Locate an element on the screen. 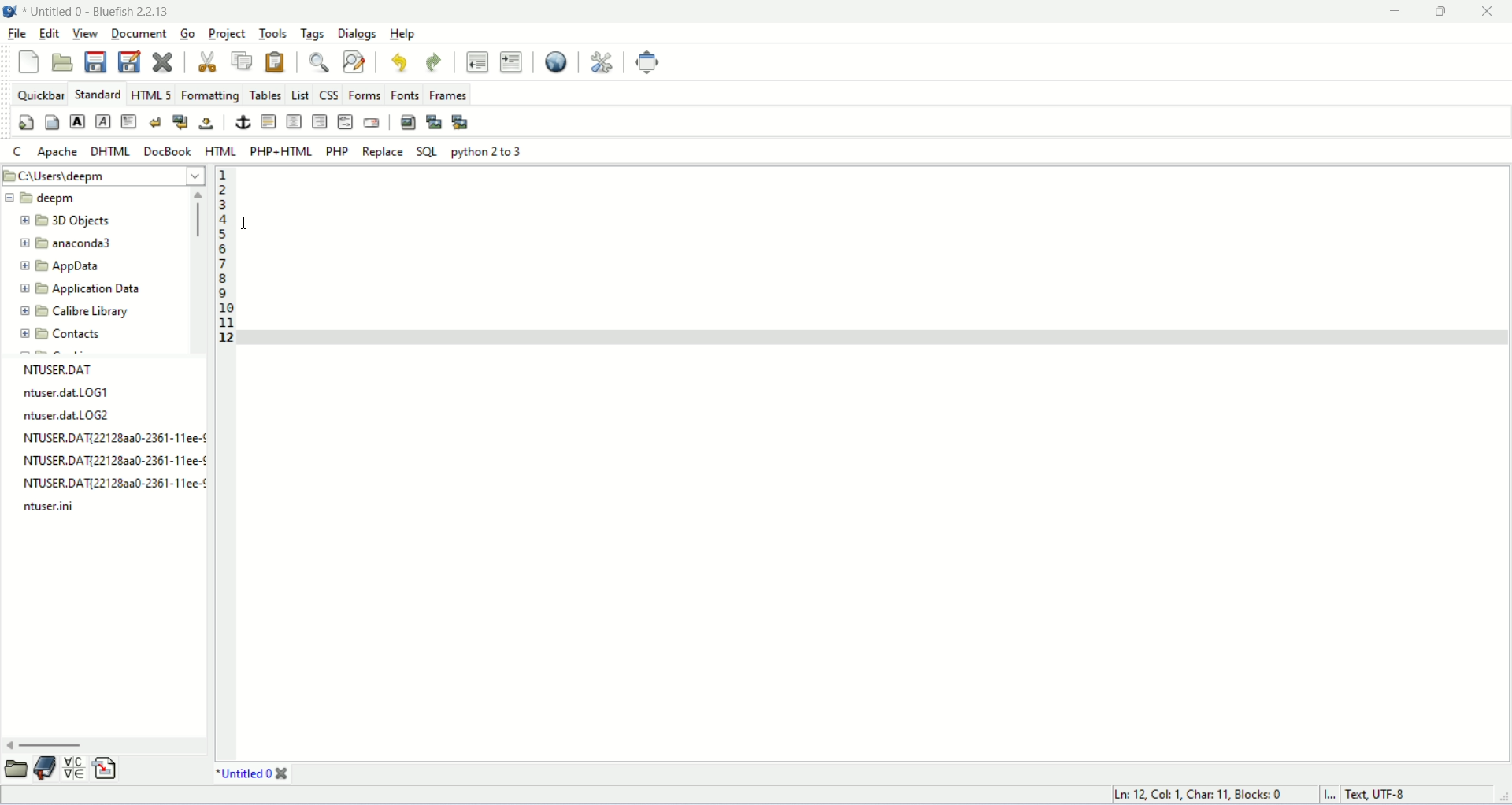 This screenshot has width=1512, height=805. HTML is located at coordinates (220, 151).